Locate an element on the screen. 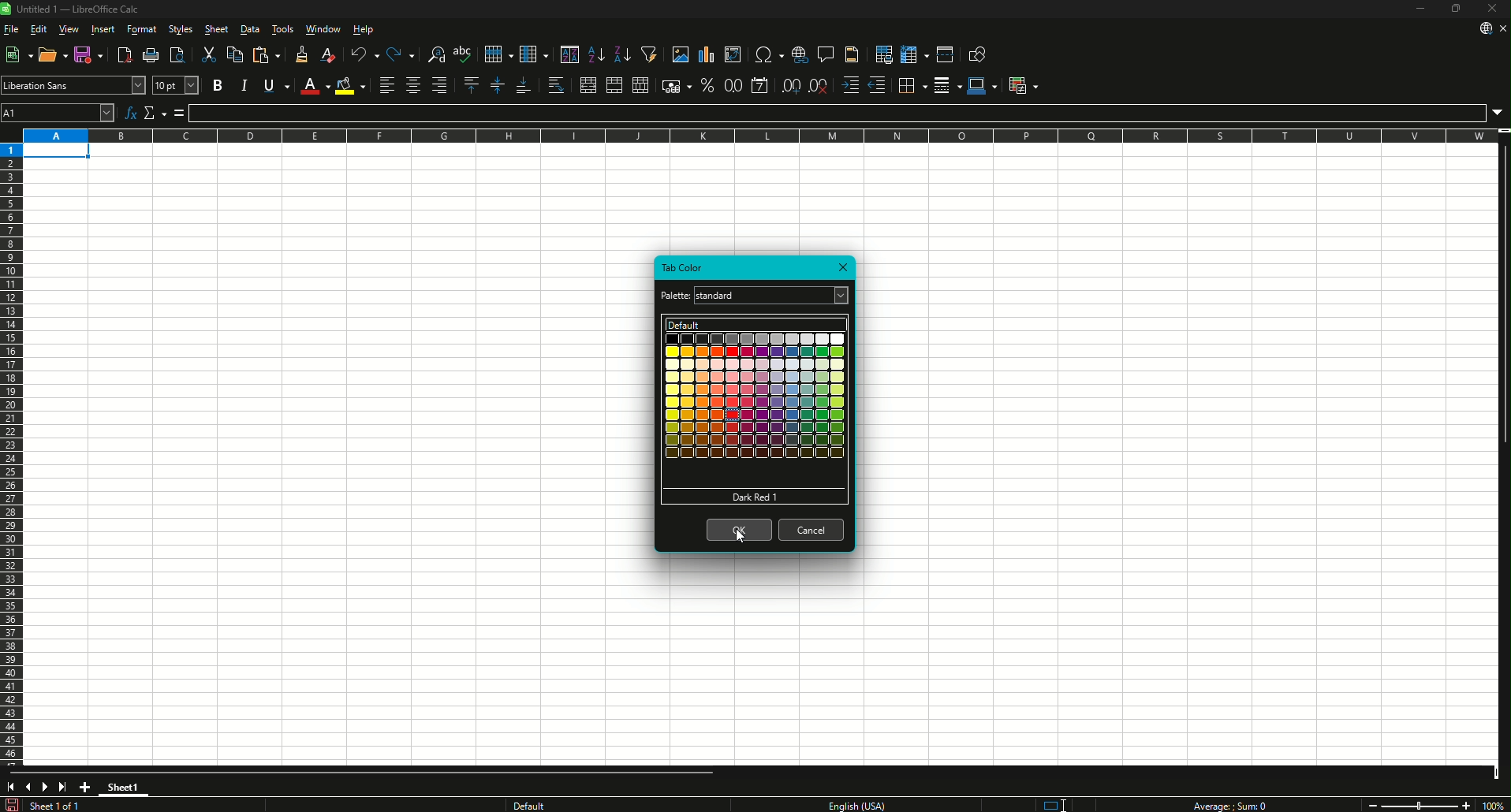 The image size is (1511, 812). Format as Currency is located at coordinates (677, 85).